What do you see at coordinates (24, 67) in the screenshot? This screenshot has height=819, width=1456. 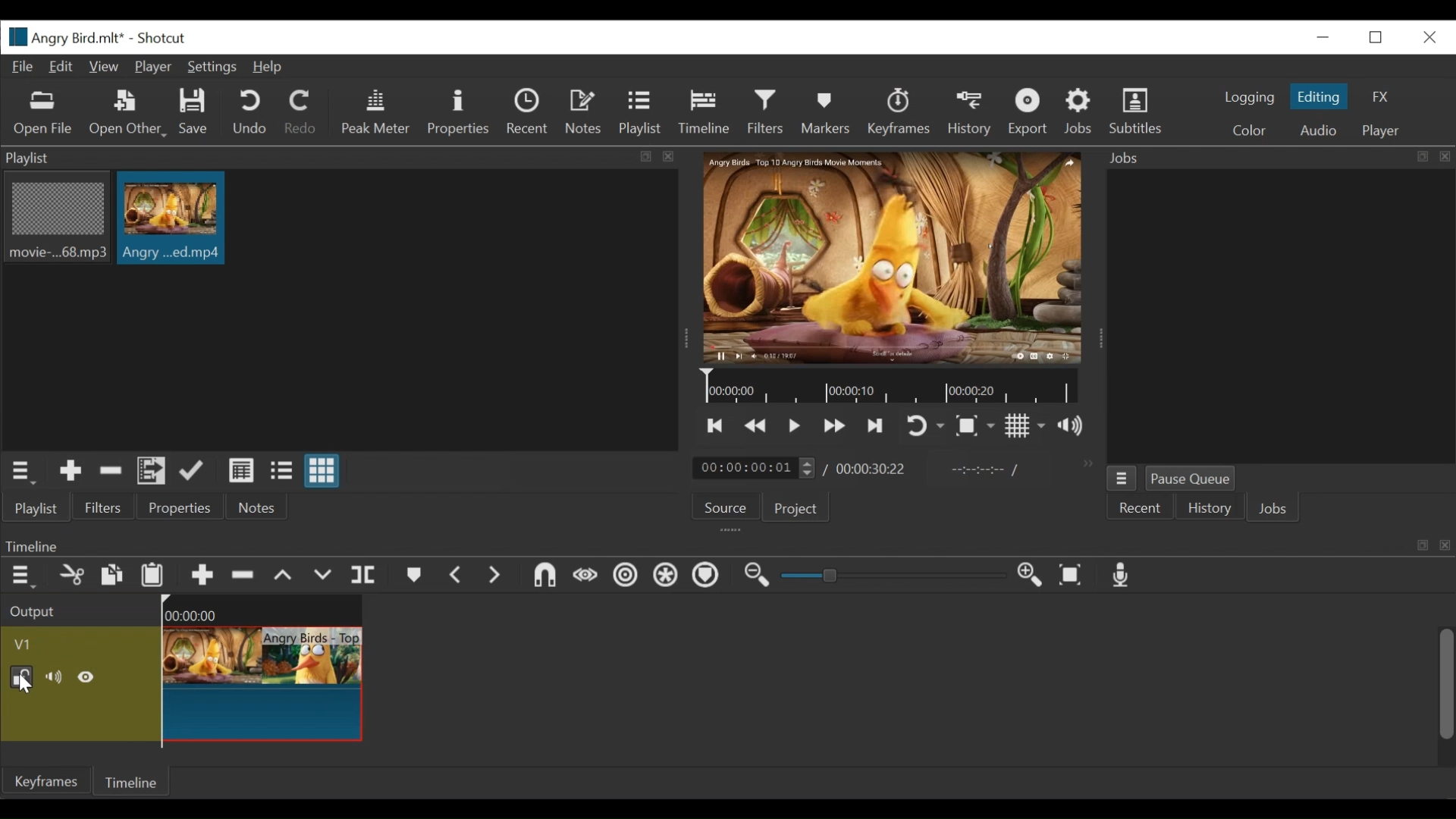 I see `File` at bounding box center [24, 67].